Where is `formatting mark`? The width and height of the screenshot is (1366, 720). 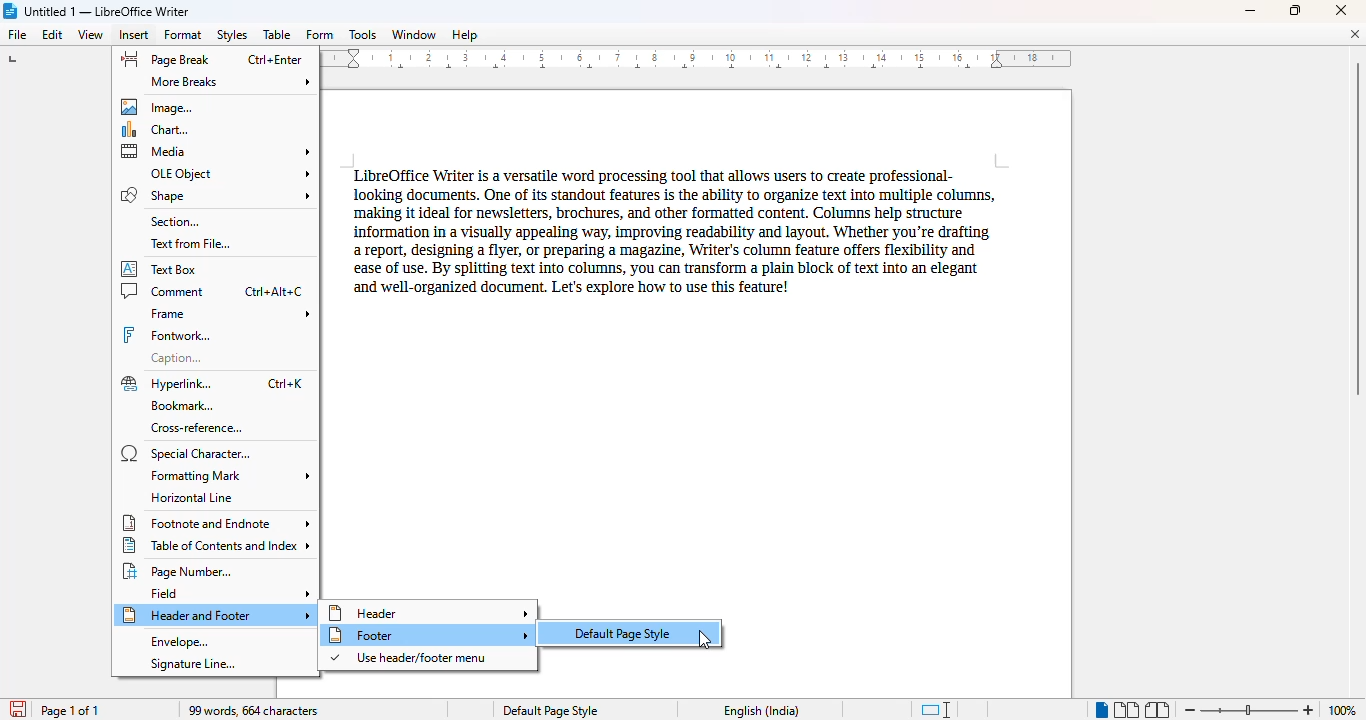
formatting mark is located at coordinates (228, 476).